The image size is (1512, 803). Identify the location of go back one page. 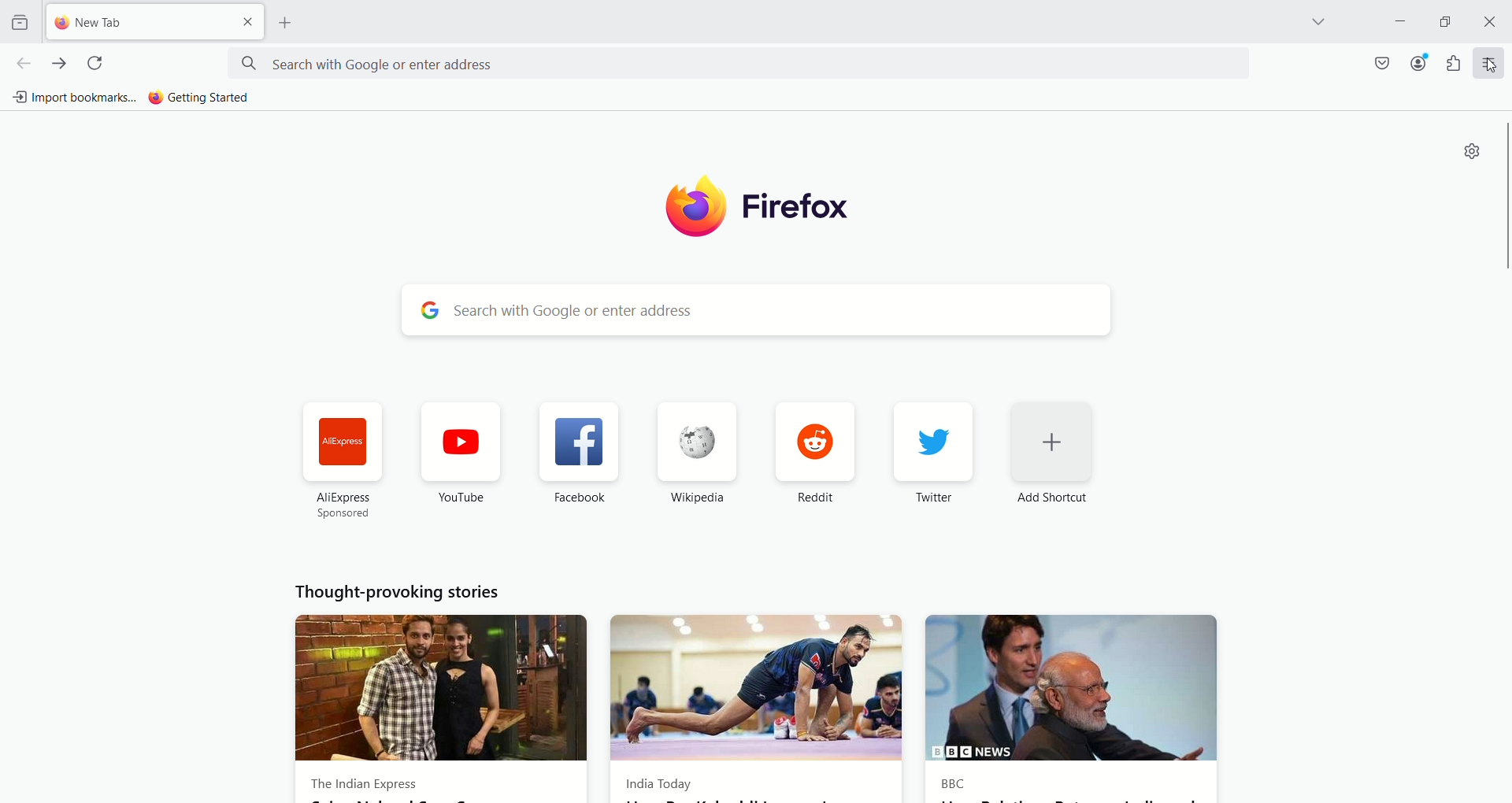
(18, 62).